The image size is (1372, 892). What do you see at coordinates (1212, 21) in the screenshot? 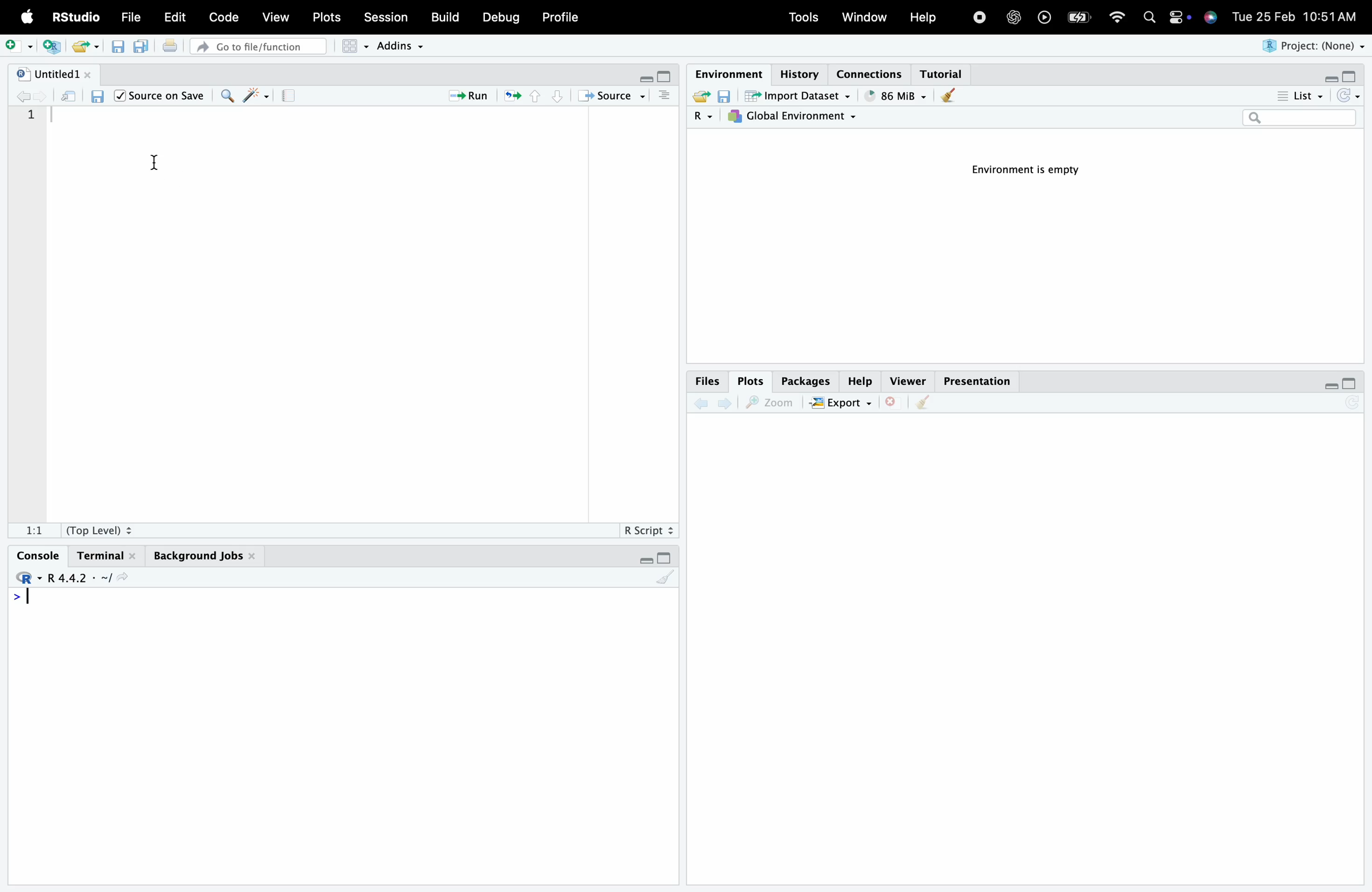
I see `siri` at bounding box center [1212, 21].